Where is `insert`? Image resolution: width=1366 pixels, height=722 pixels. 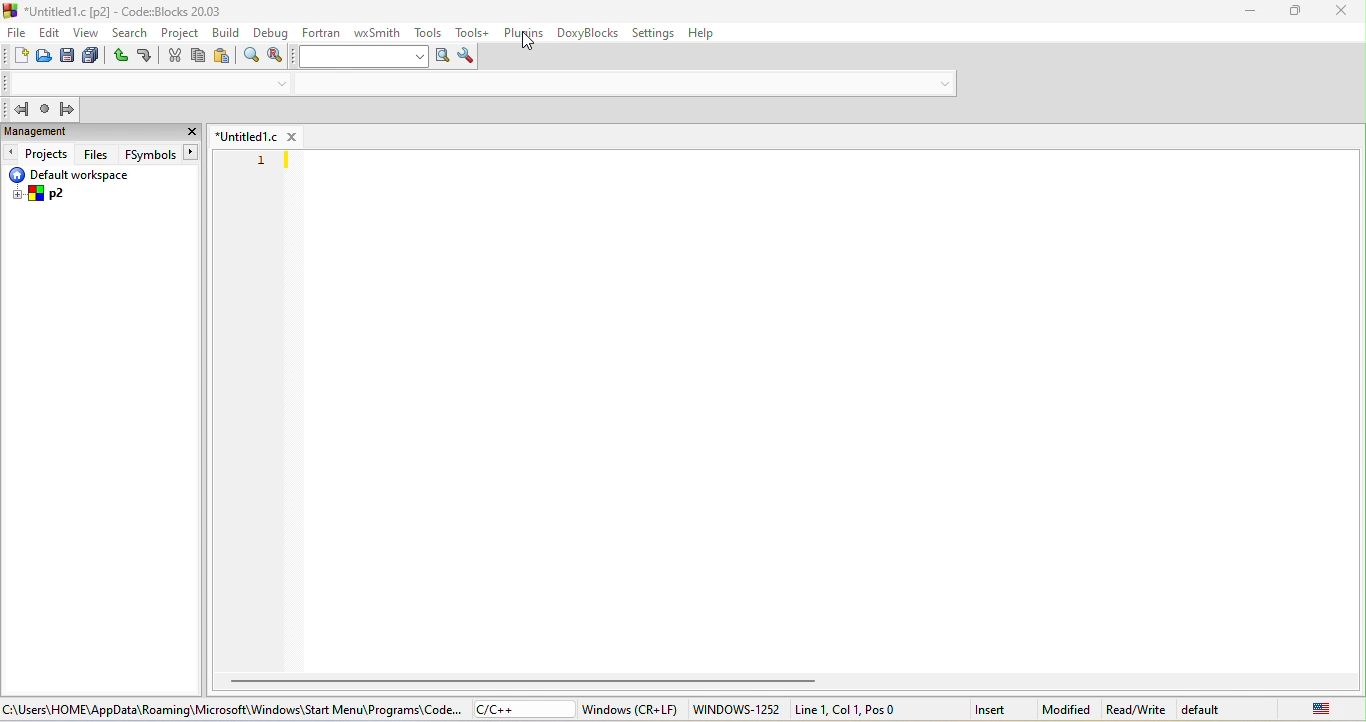 insert is located at coordinates (992, 709).